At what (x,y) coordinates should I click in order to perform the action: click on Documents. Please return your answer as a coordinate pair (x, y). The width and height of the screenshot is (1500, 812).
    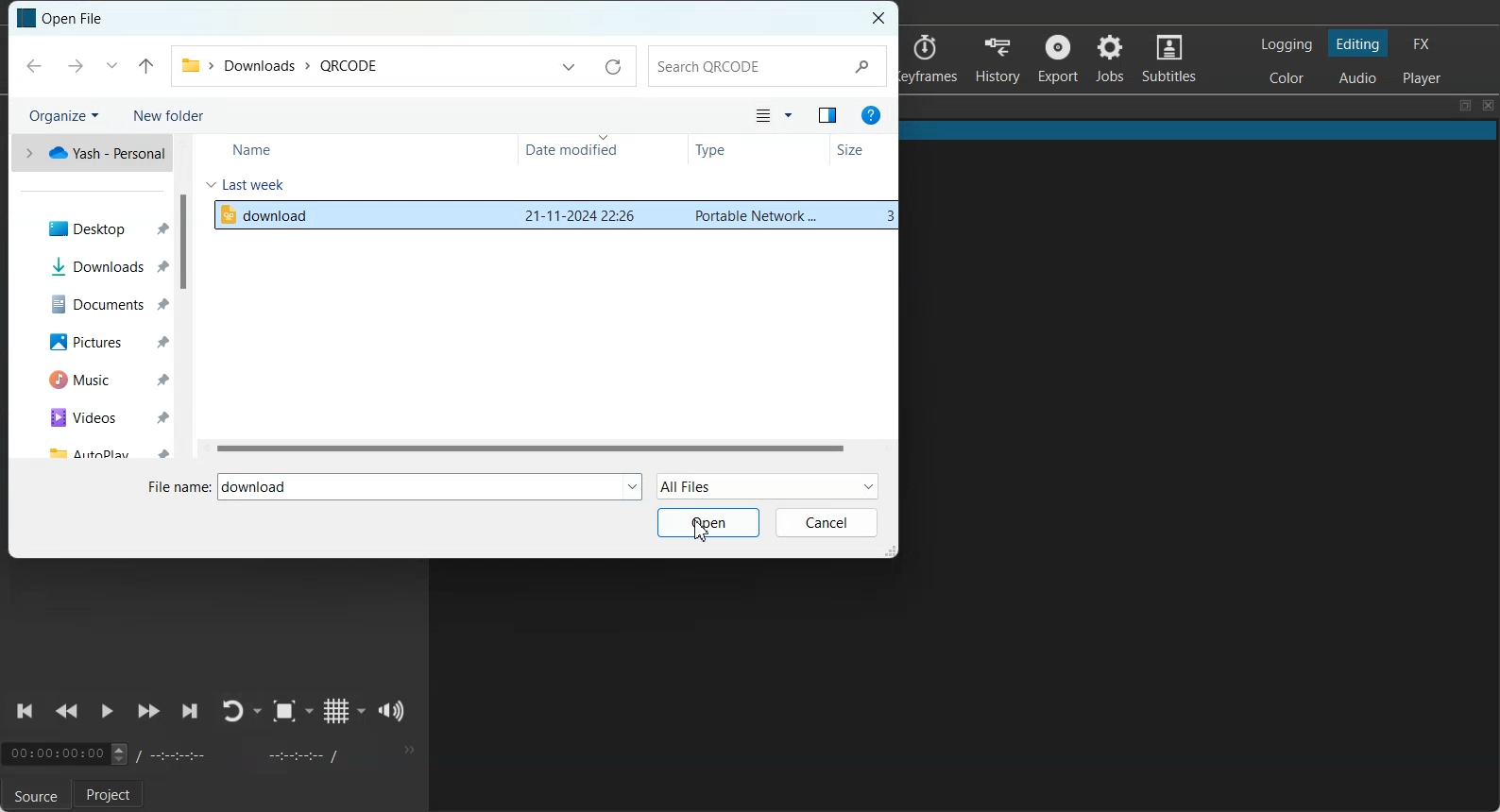
    Looking at the image, I should click on (98, 303).